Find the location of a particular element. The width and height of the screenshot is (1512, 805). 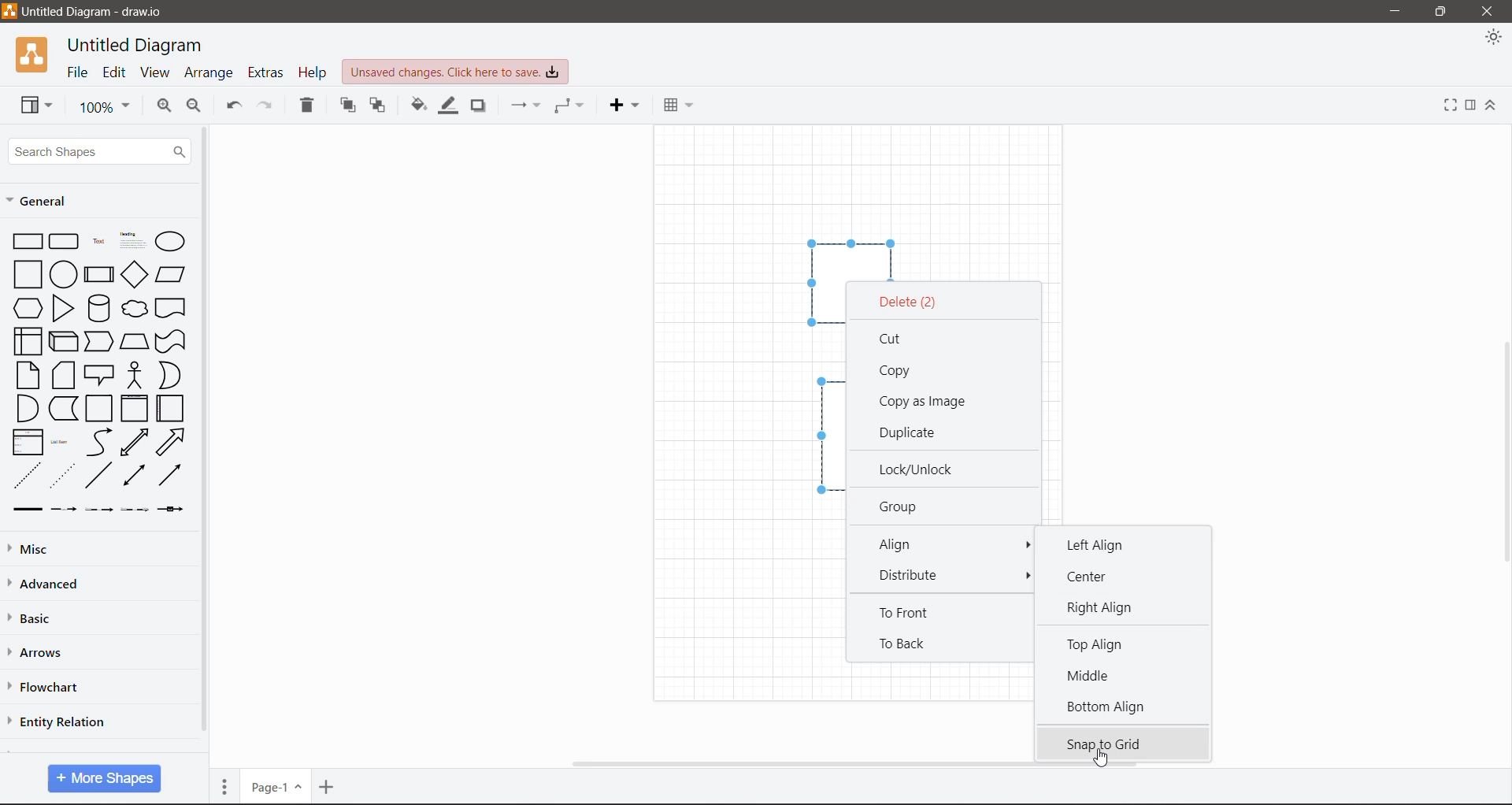

Misc is located at coordinates (34, 551).